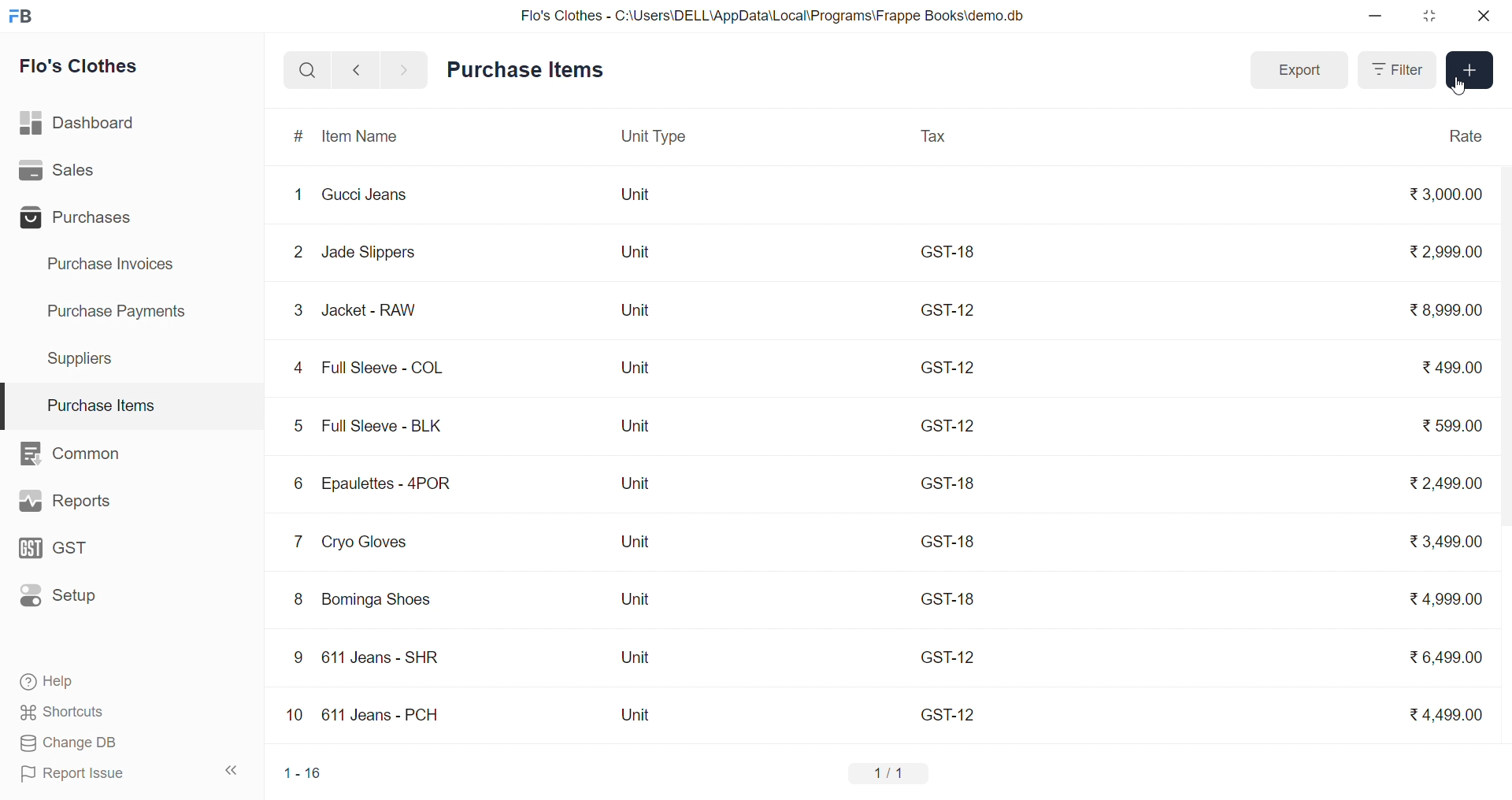 The image size is (1512, 800). I want to click on GST-18, so click(951, 599).